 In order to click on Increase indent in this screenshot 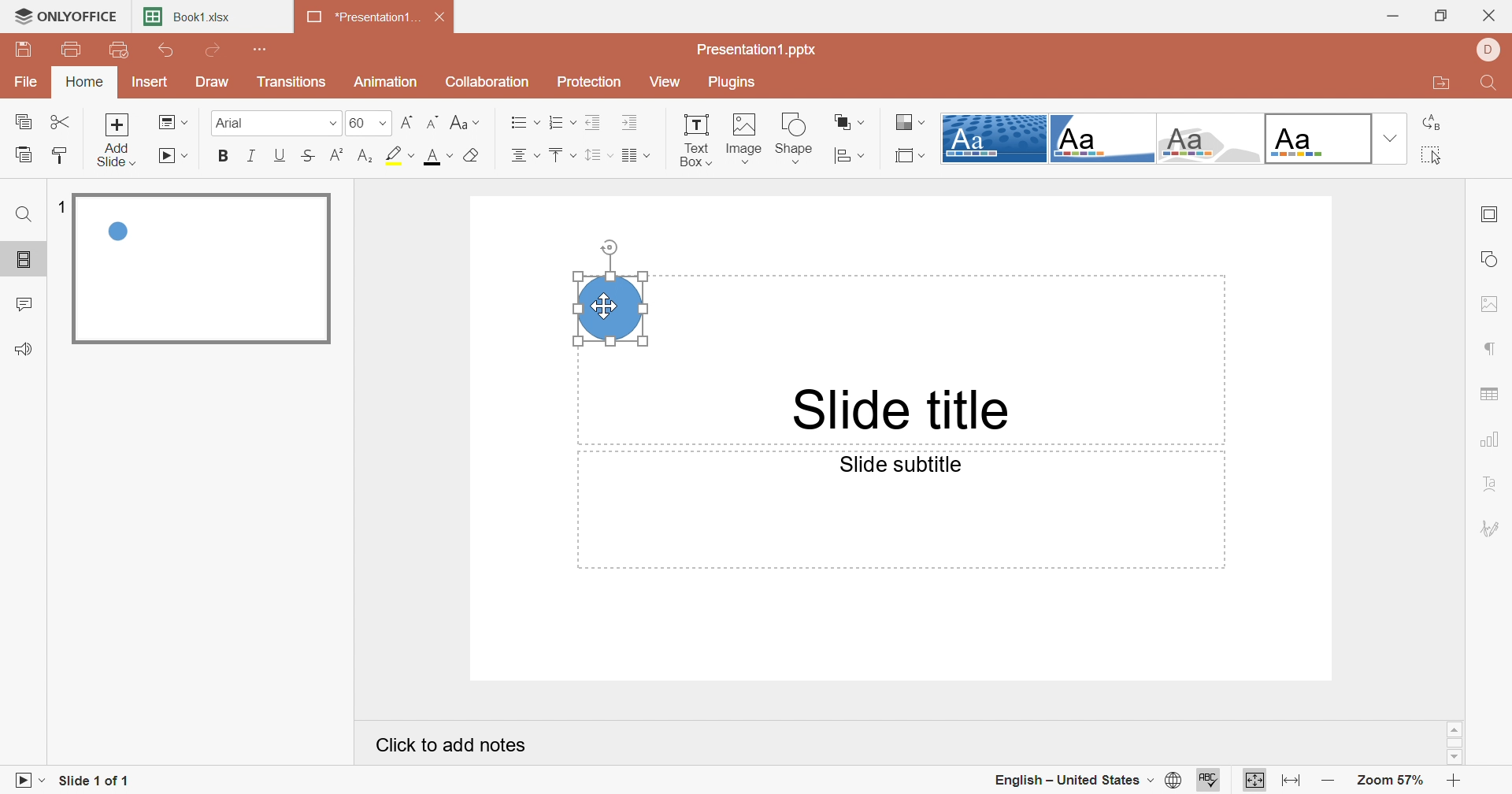, I will do `click(632, 123)`.